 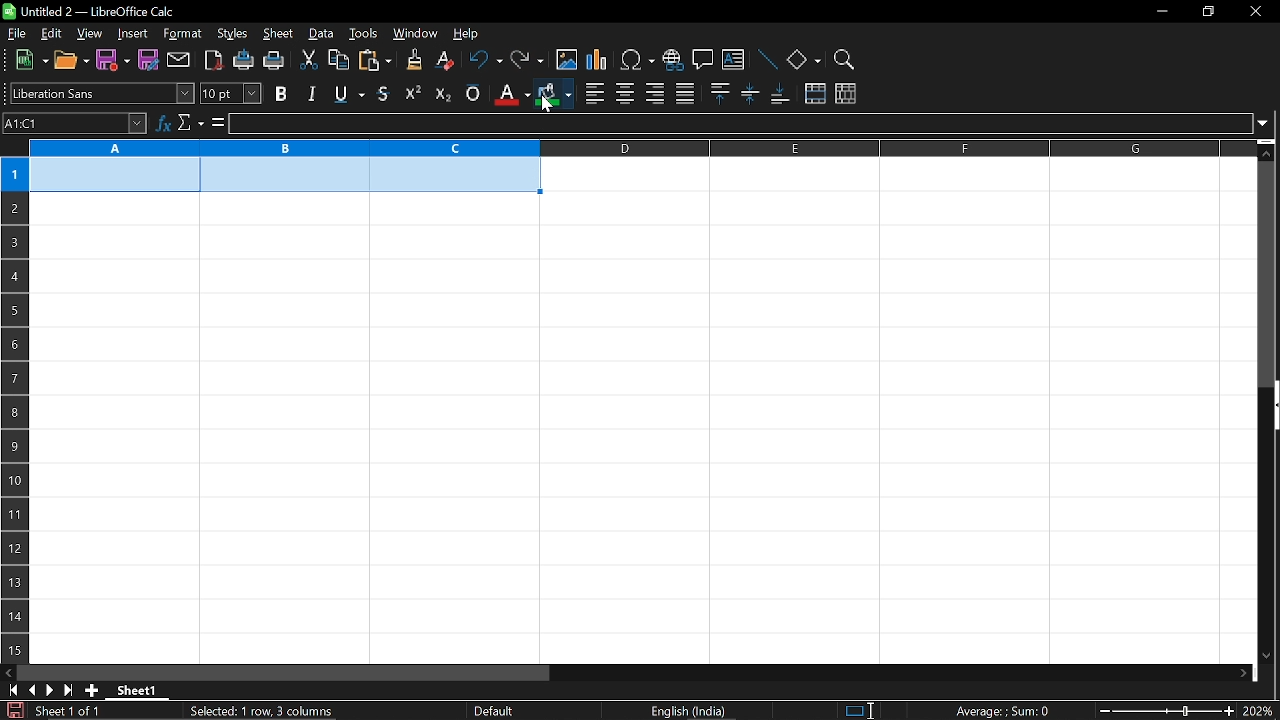 I want to click on edit, so click(x=48, y=34).